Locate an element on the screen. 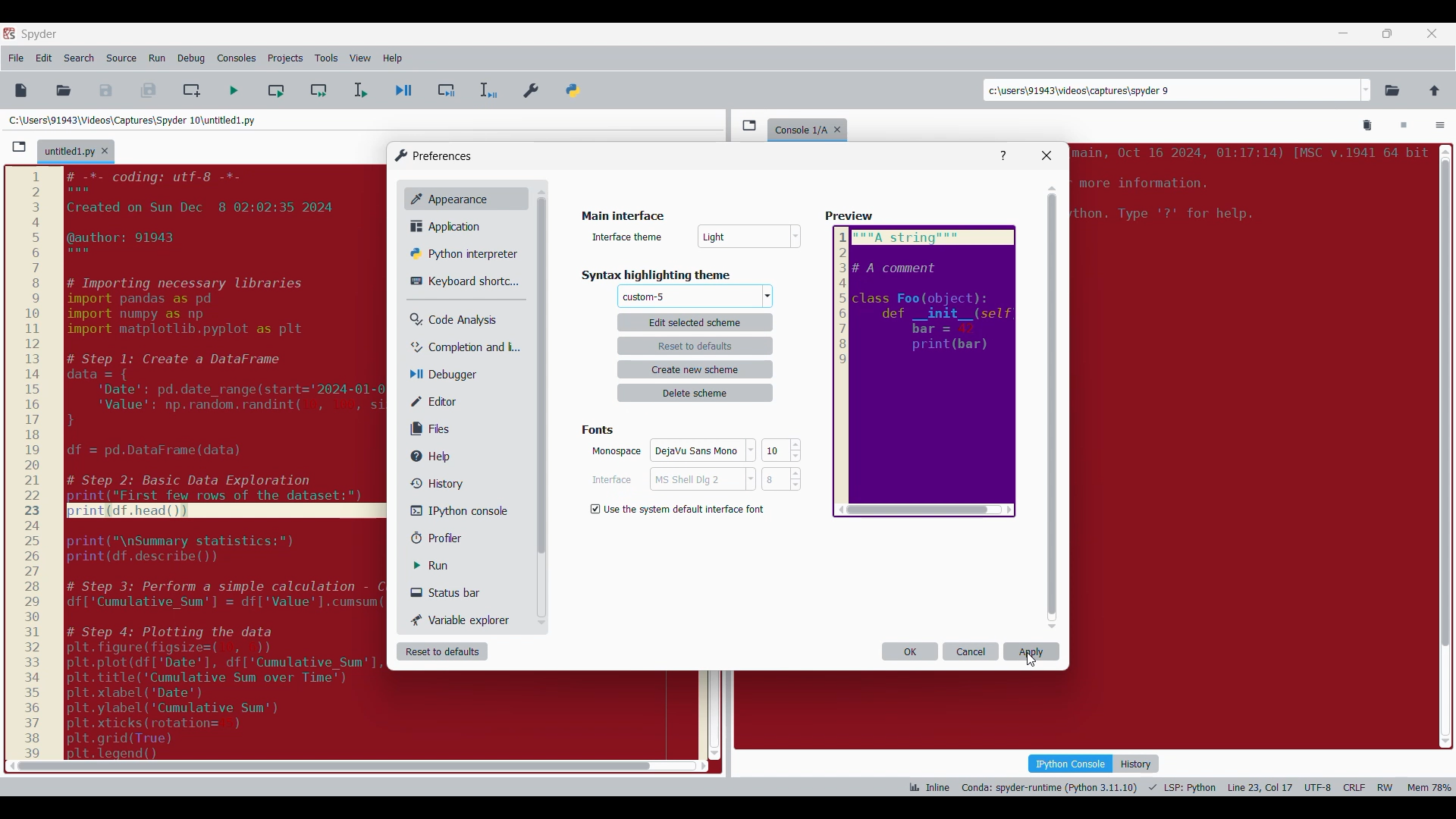 This screenshot has width=1456, height=819. Window logo and title is located at coordinates (434, 155).